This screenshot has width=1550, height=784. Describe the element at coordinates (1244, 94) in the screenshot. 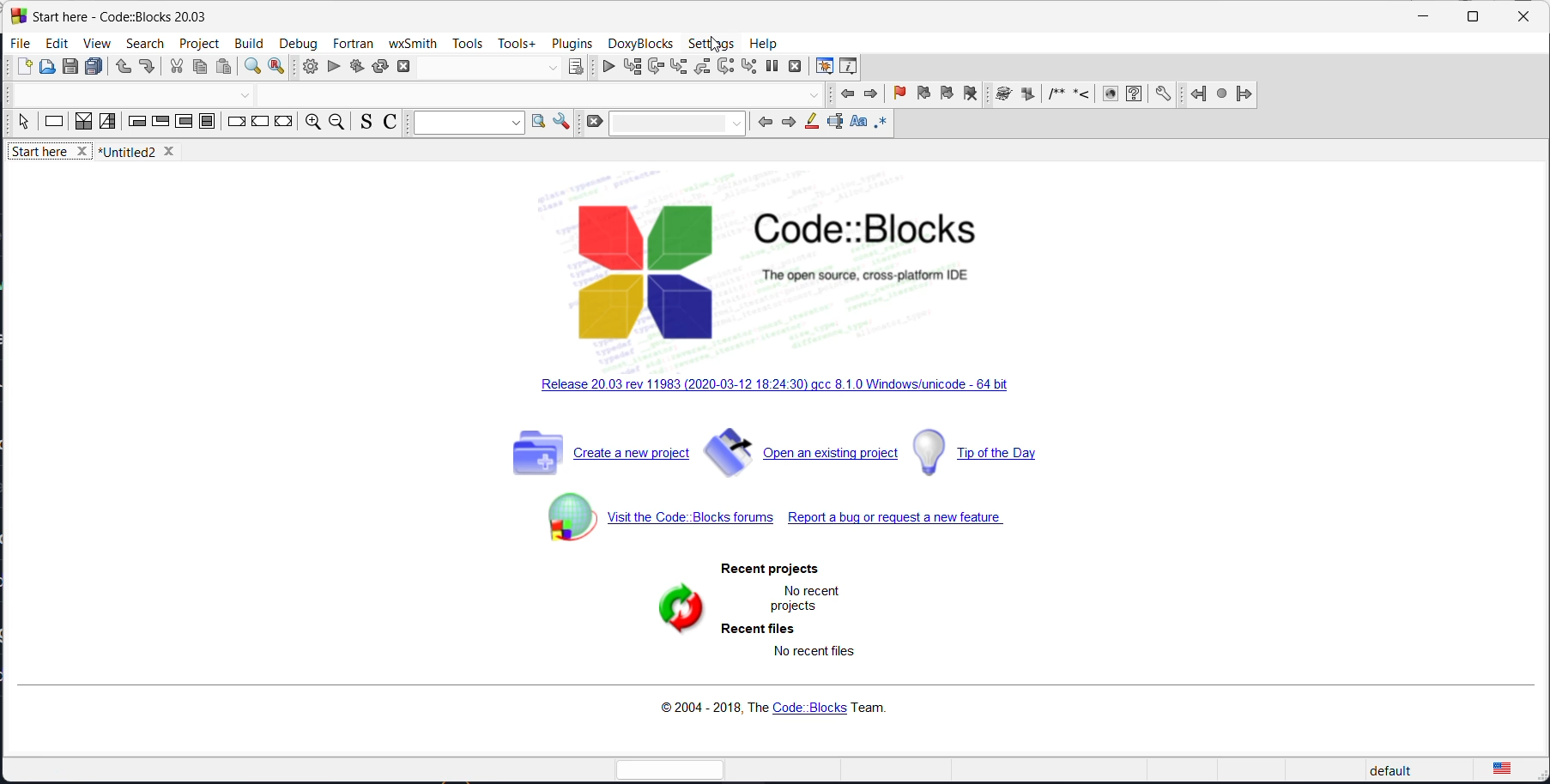

I see `jump forward` at that location.